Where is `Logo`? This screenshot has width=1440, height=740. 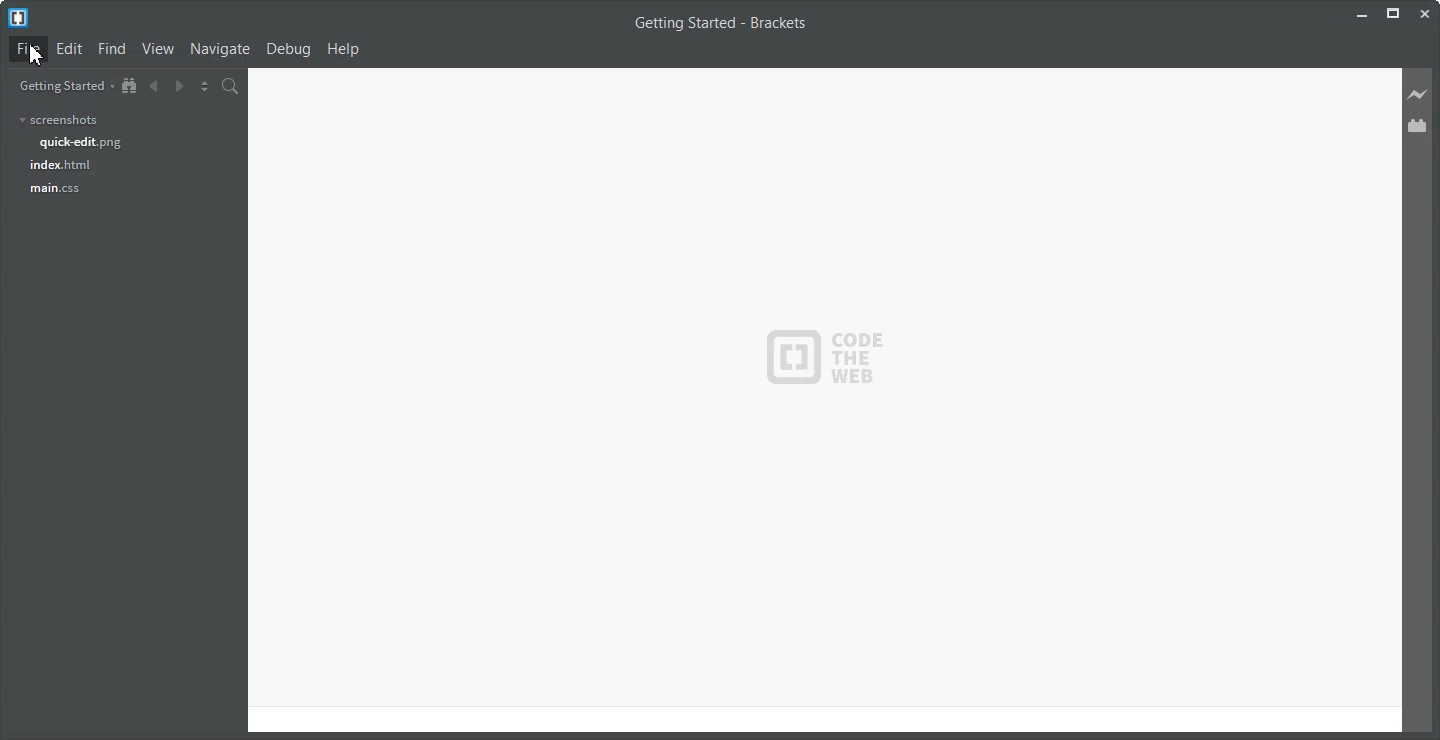
Logo is located at coordinates (18, 17).